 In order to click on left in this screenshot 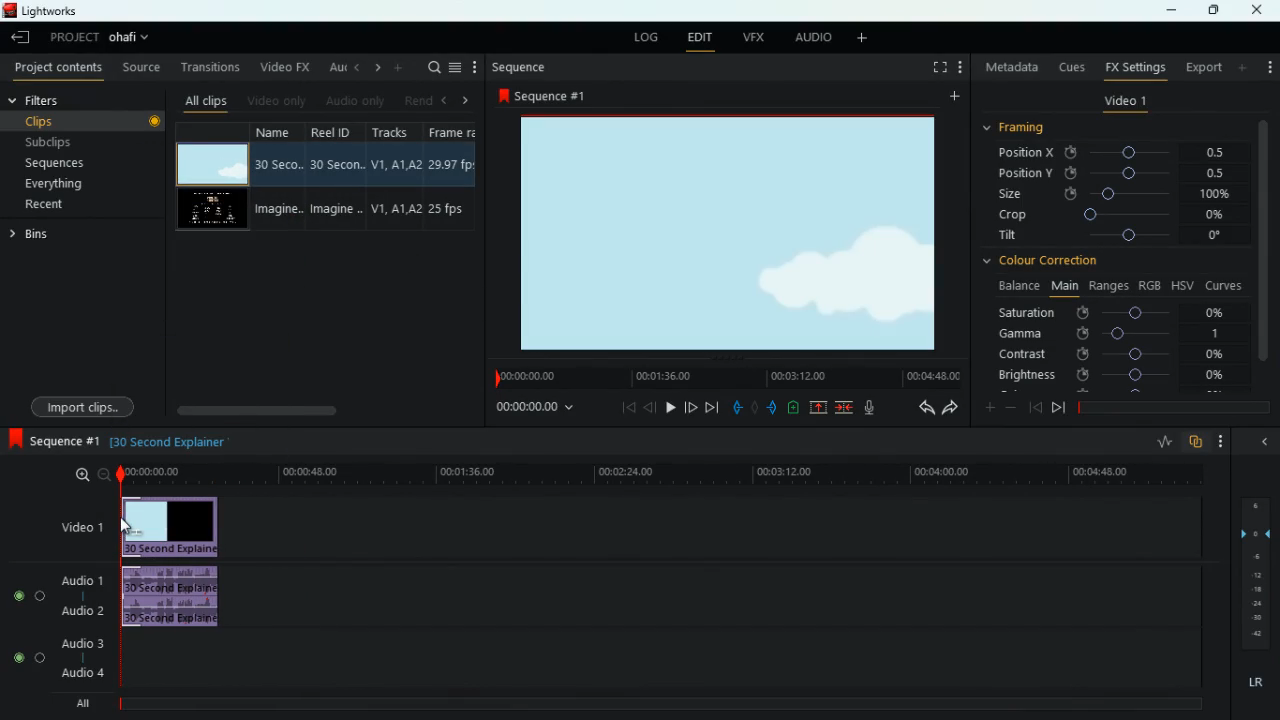, I will do `click(446, 99)`.